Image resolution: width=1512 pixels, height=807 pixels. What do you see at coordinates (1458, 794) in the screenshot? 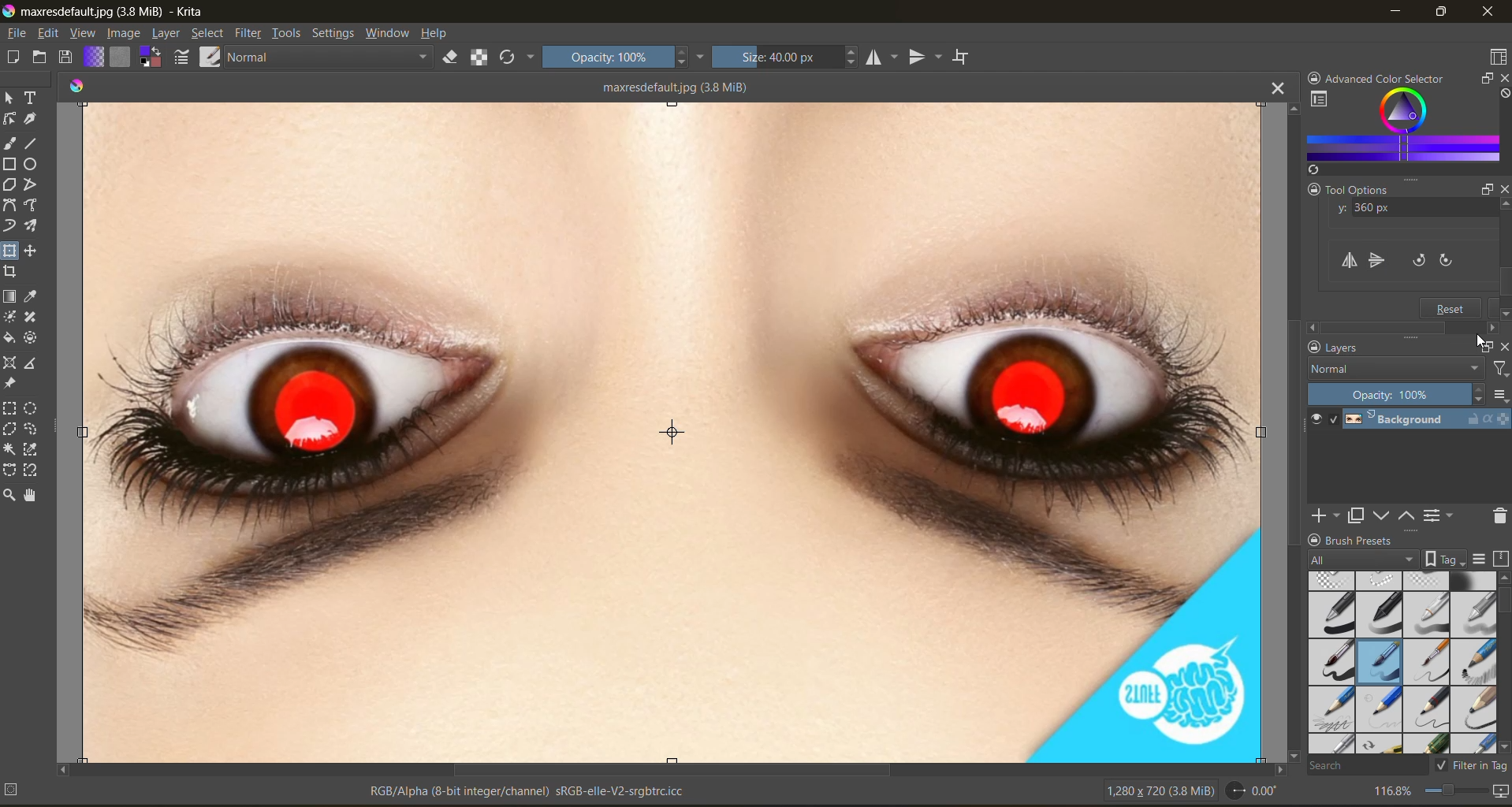
I see `zoom` at bounding box center [1458, 794].